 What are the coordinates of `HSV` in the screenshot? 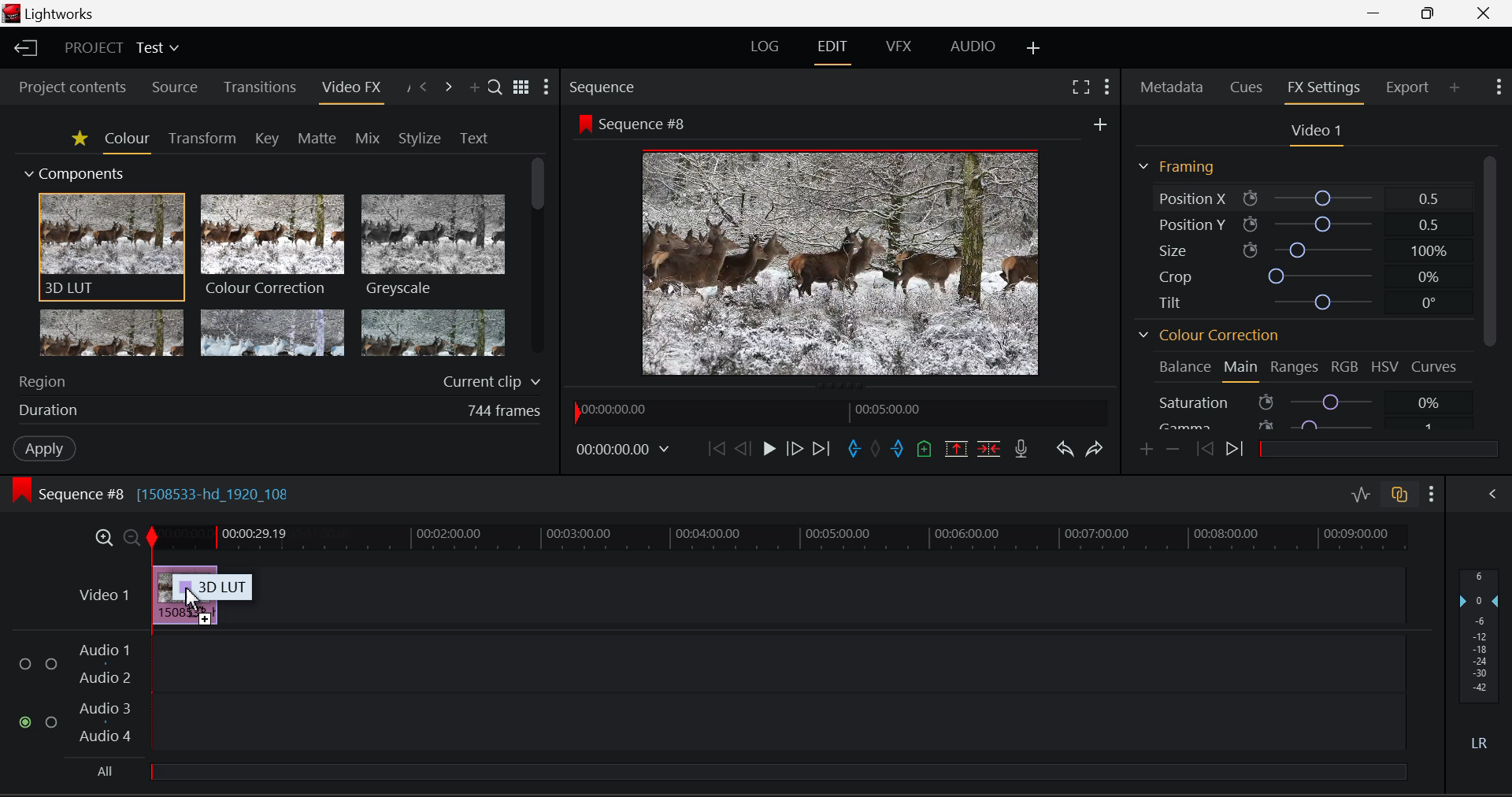 It's located at (1384, 369).